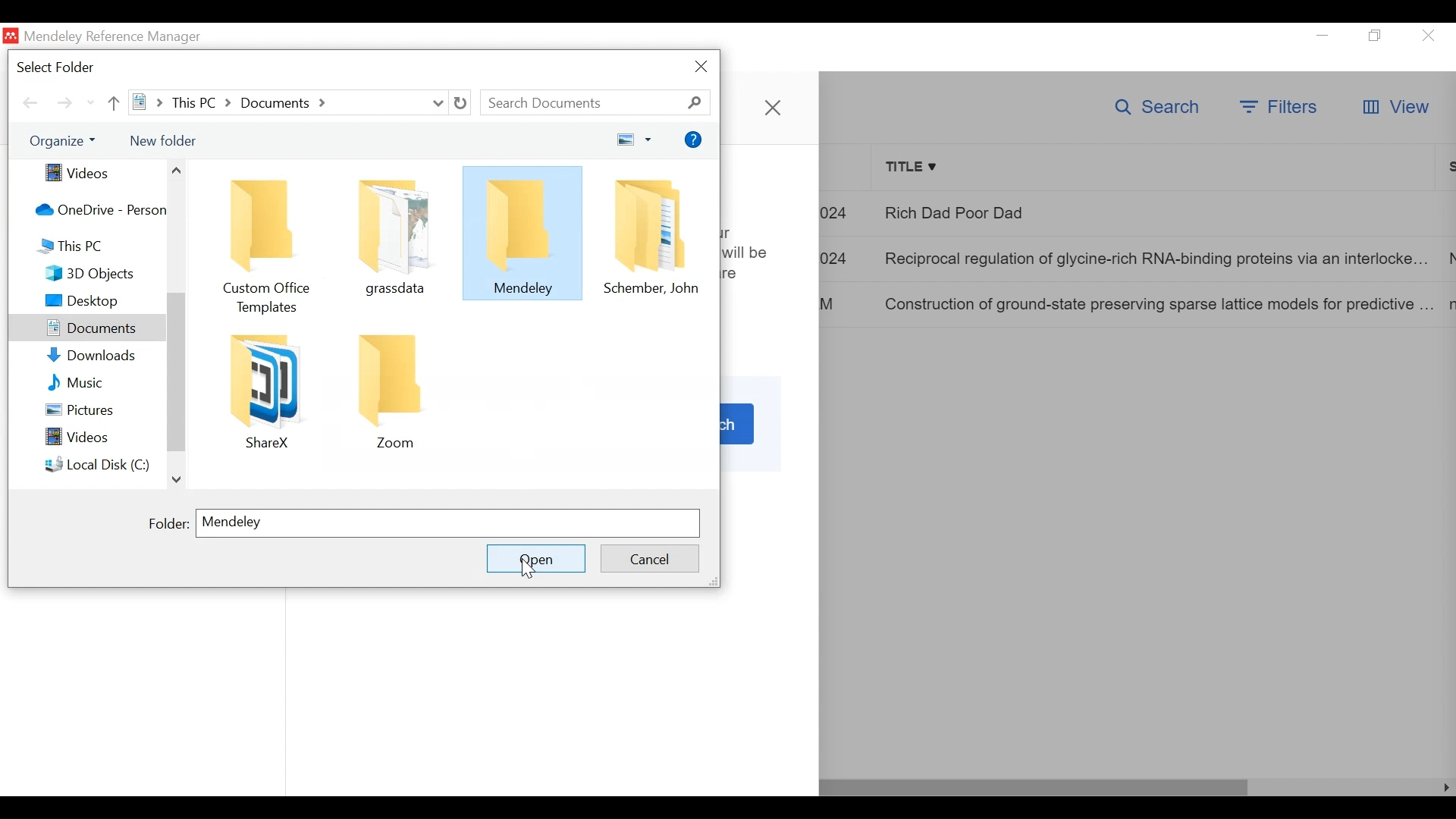  Describe the element at coordinates (30, 105) in the screenshot. I see `Navigate Back` at that location.